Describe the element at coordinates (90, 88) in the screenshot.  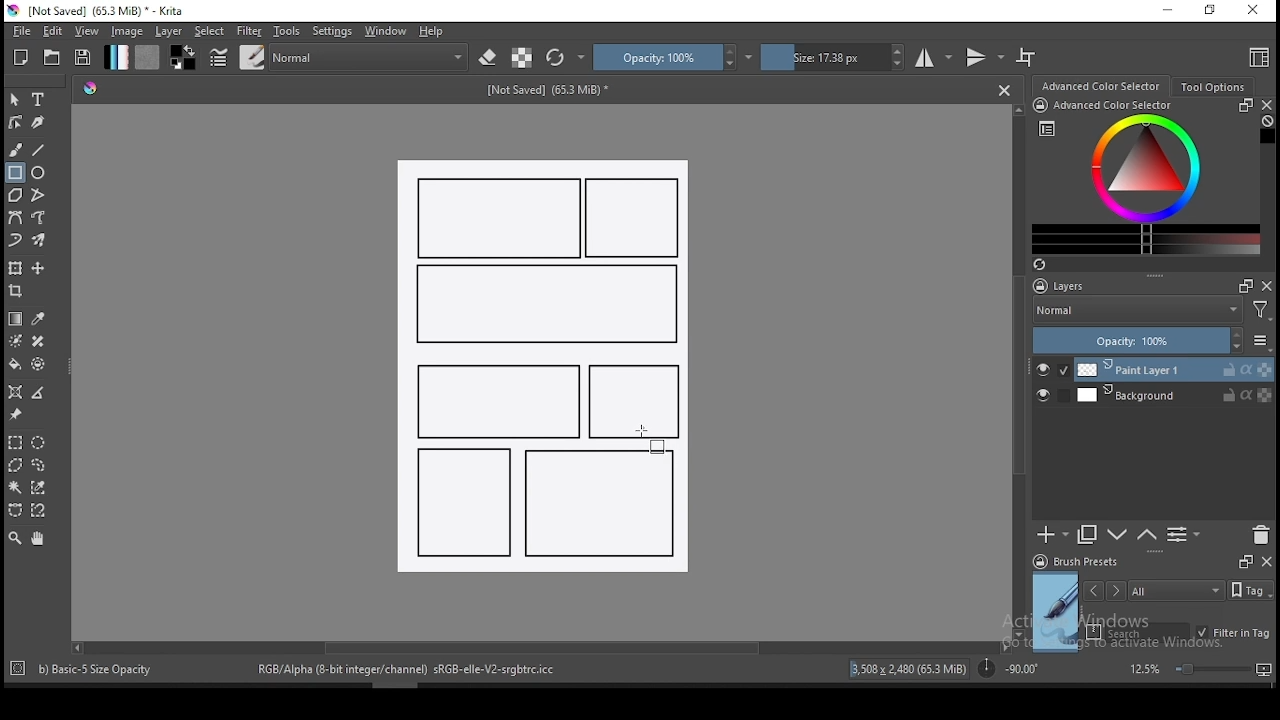
I see `Hue` at that location.